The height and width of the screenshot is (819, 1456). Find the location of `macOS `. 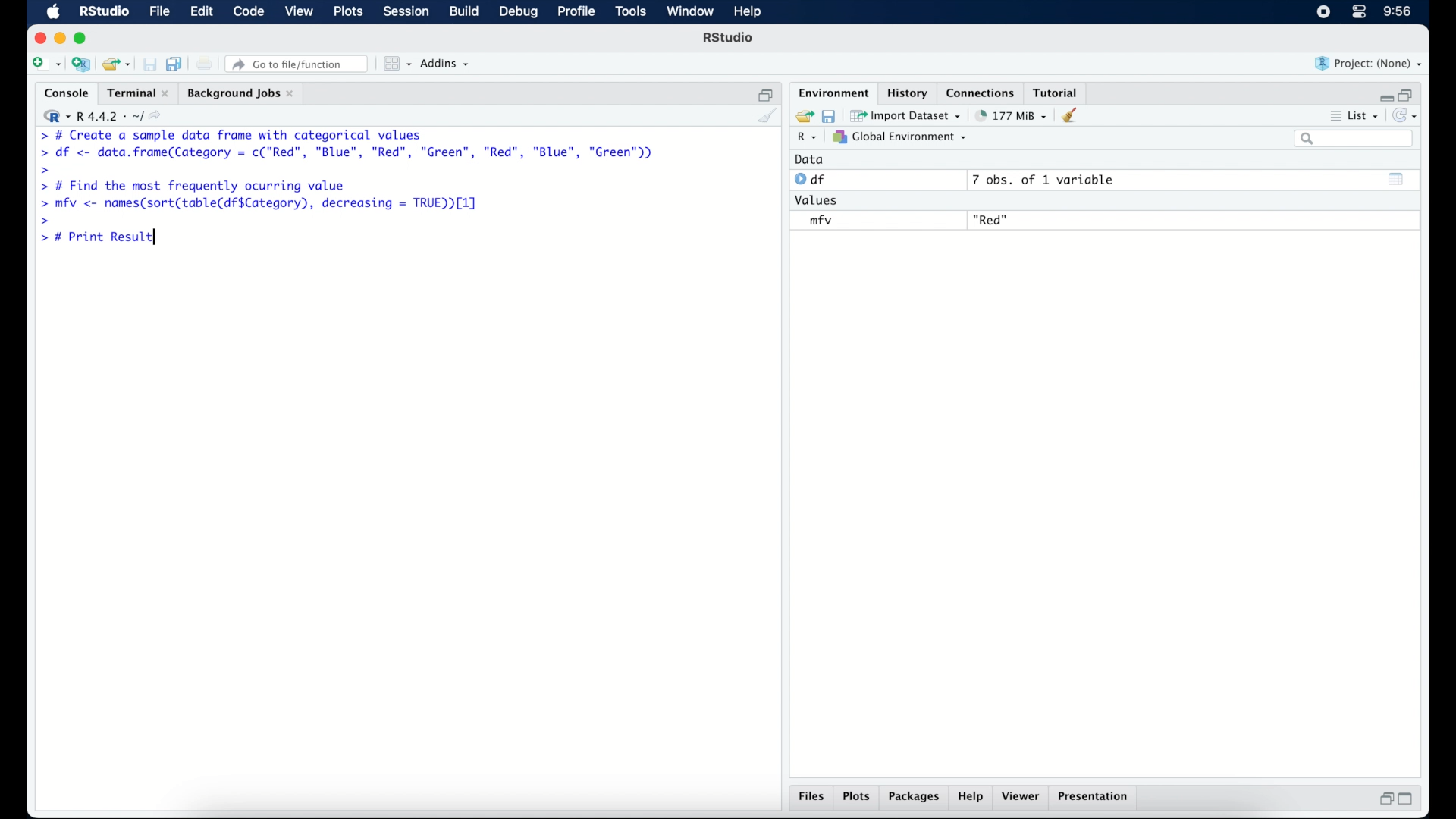

macOS  is located at coordinates (53, 12).